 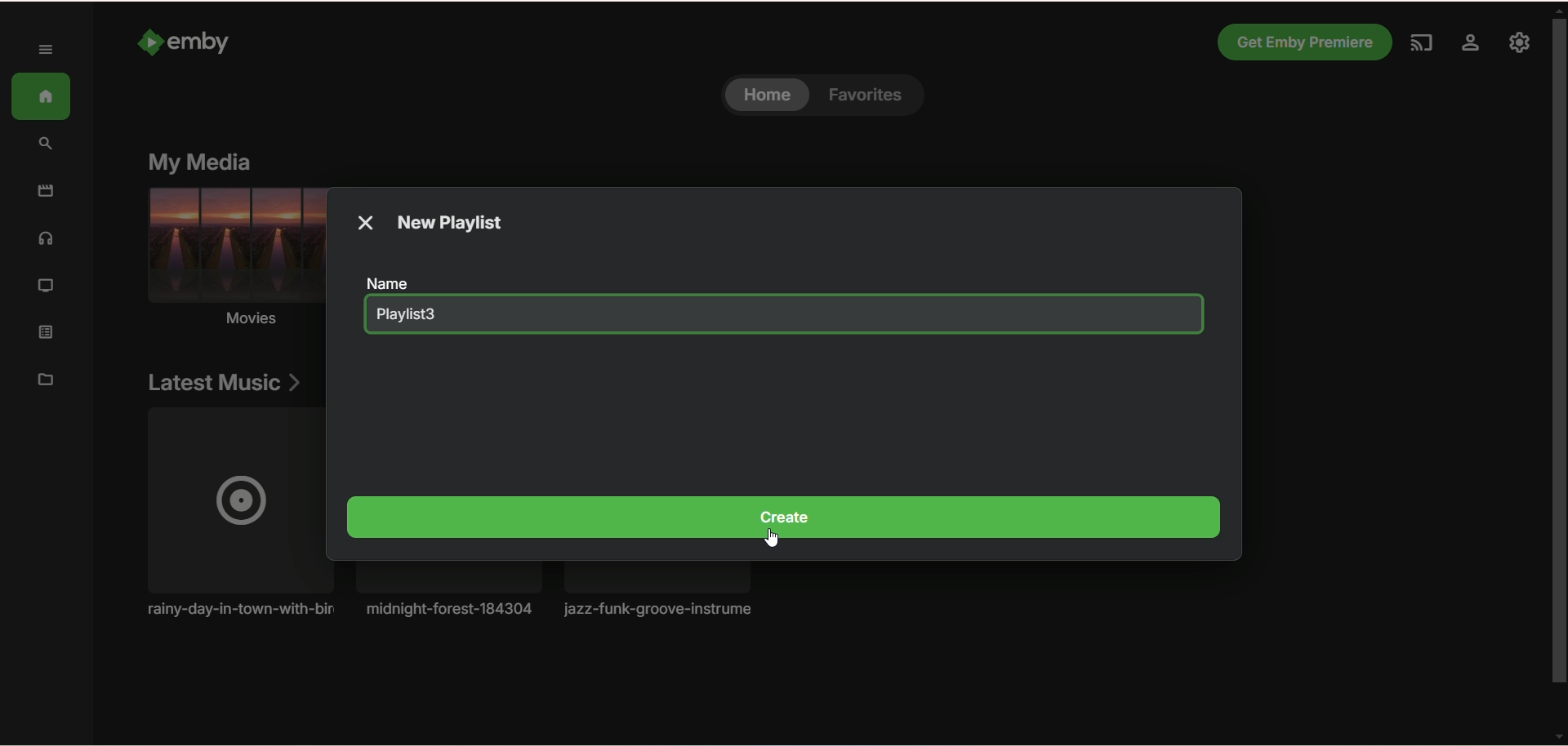 What do you see at coordinates (200, 42) in the screenshot?
I see `emby` at bounding box center [200, 42].